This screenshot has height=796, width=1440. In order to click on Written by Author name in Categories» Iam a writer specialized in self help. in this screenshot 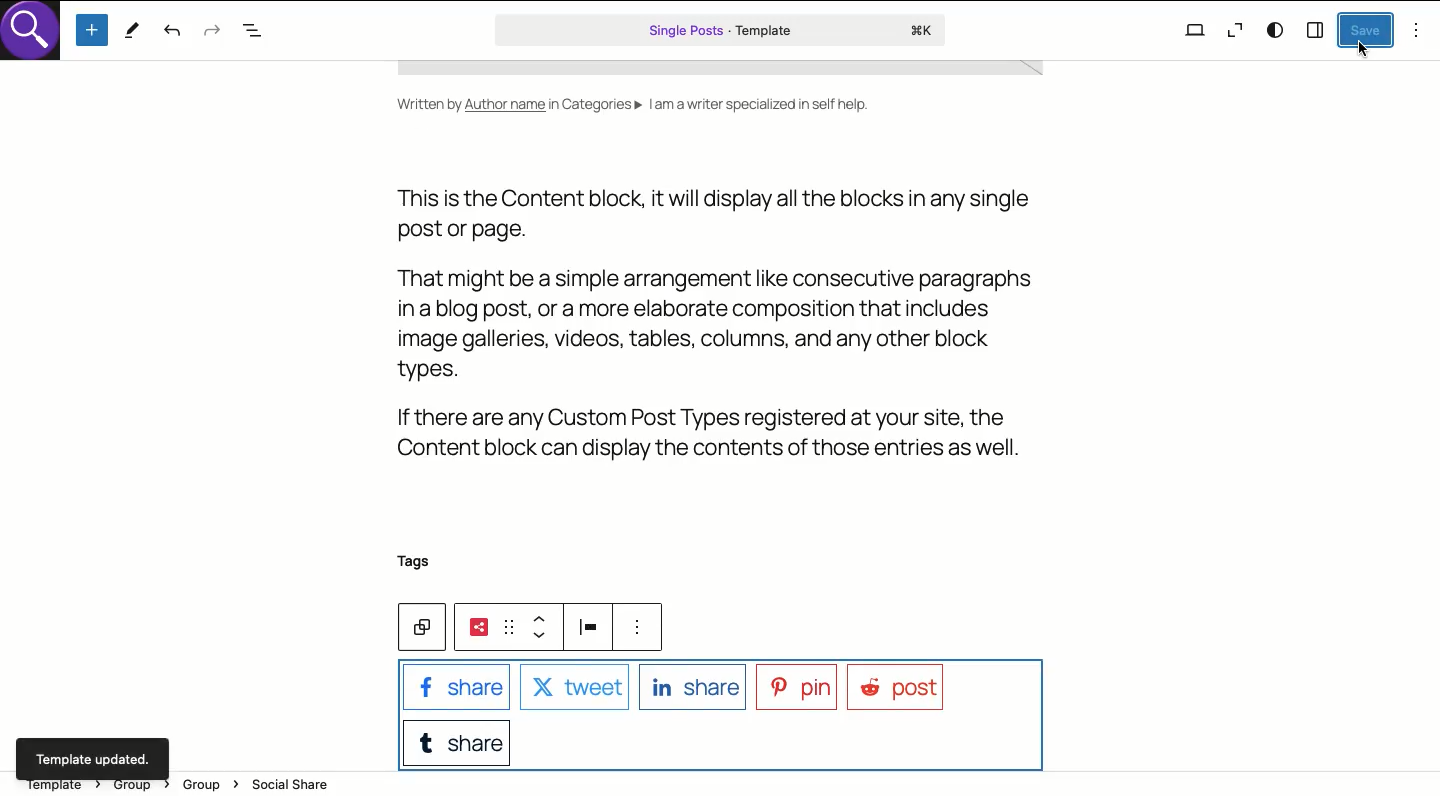, I will do `click(631, 106)`.